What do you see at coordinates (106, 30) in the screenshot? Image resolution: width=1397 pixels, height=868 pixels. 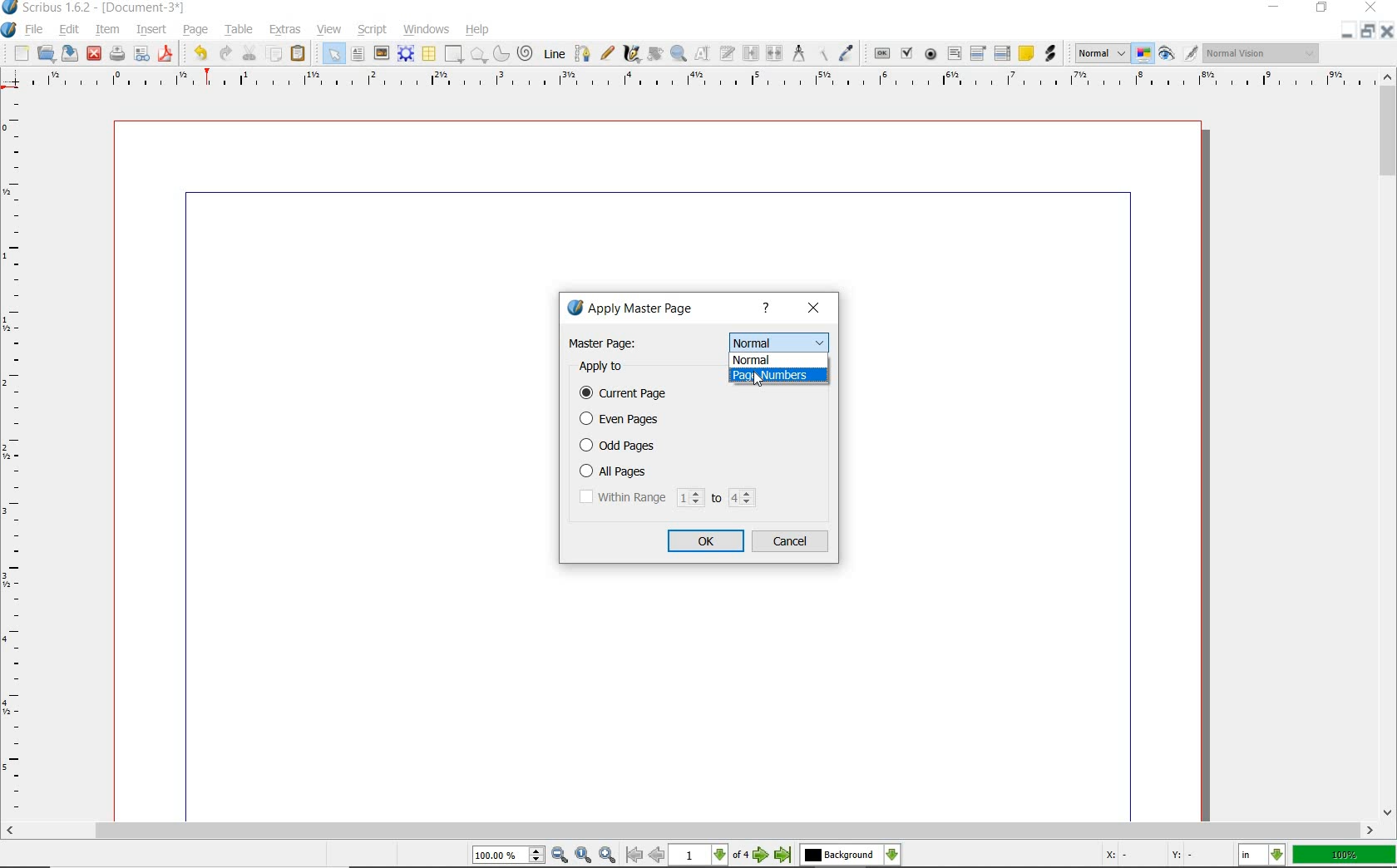 I see `item` at bounding box center [106, 30].